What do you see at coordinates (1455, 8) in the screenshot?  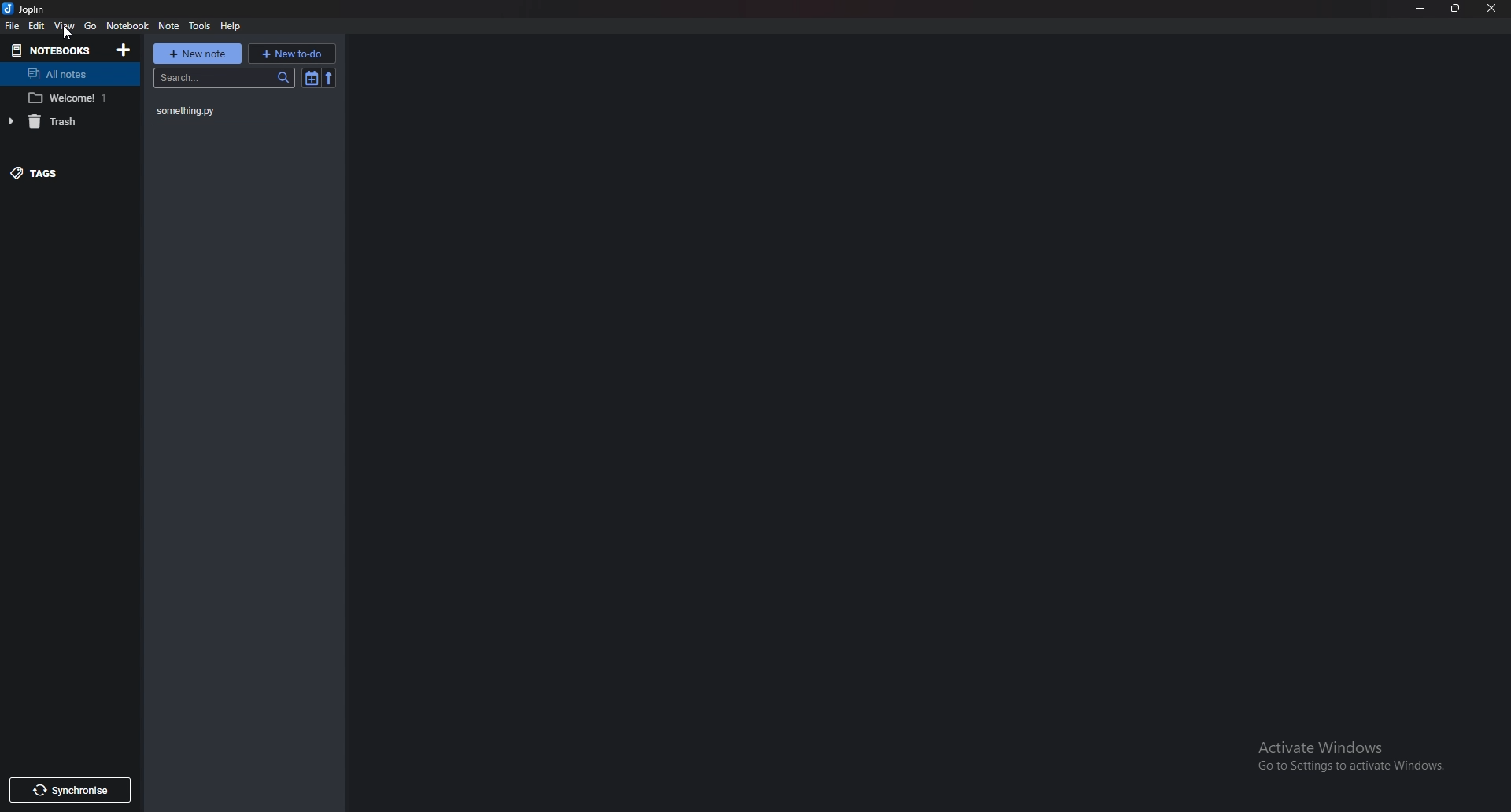 I see `Resize` at bounding box center [1455, 8].